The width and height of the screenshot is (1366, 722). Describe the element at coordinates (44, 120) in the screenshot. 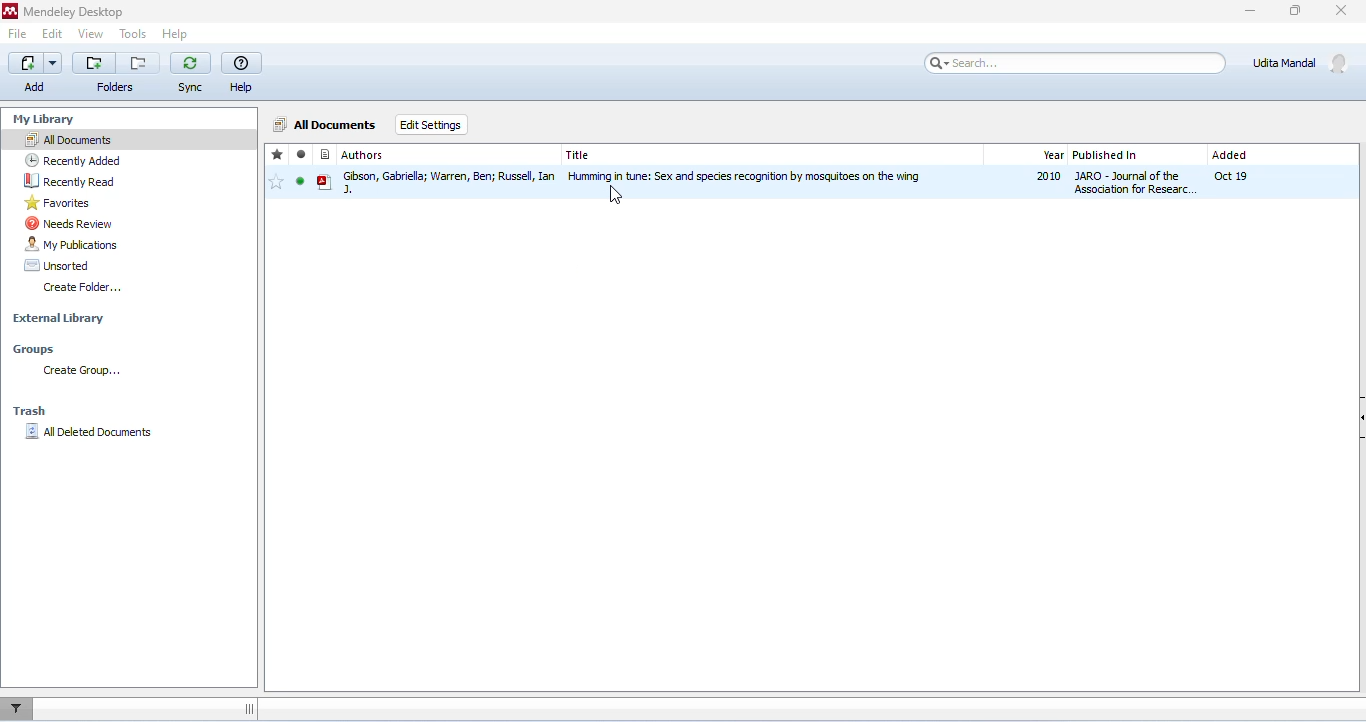

I see `my library` at that location.